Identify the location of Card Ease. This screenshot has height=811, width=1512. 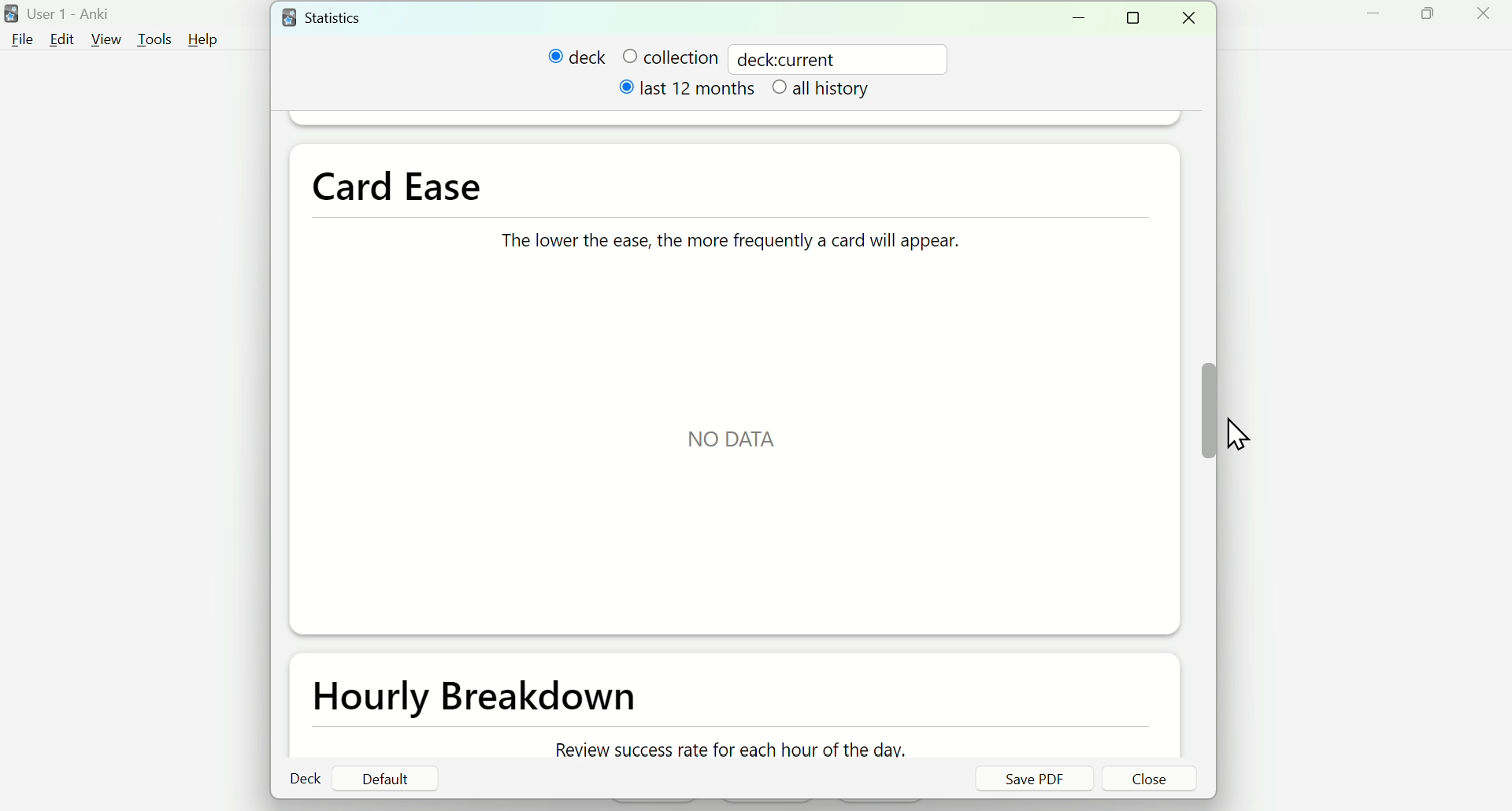
(408, 184).